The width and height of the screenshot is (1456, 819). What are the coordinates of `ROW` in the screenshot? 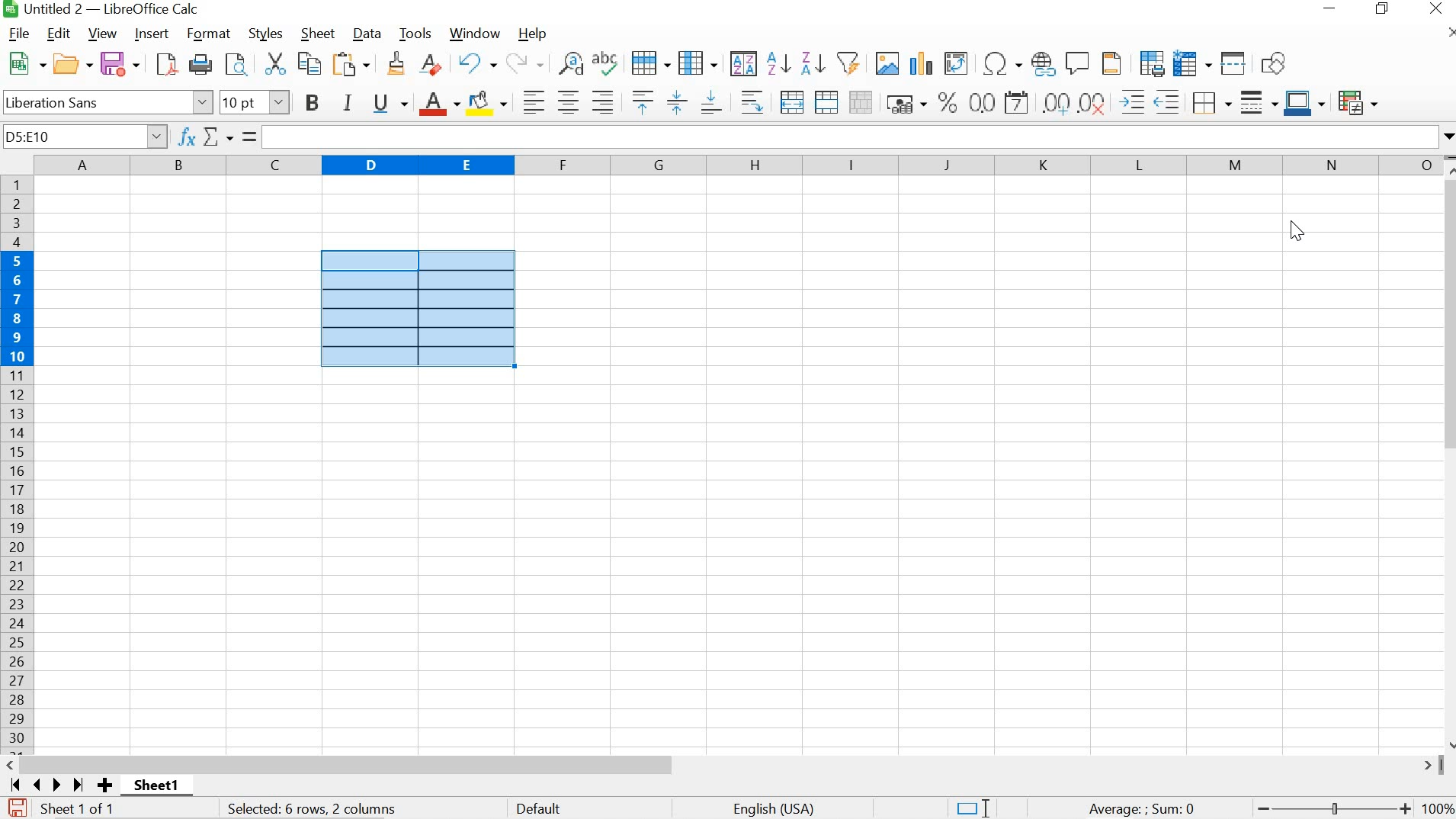 It's located at (651, 64).